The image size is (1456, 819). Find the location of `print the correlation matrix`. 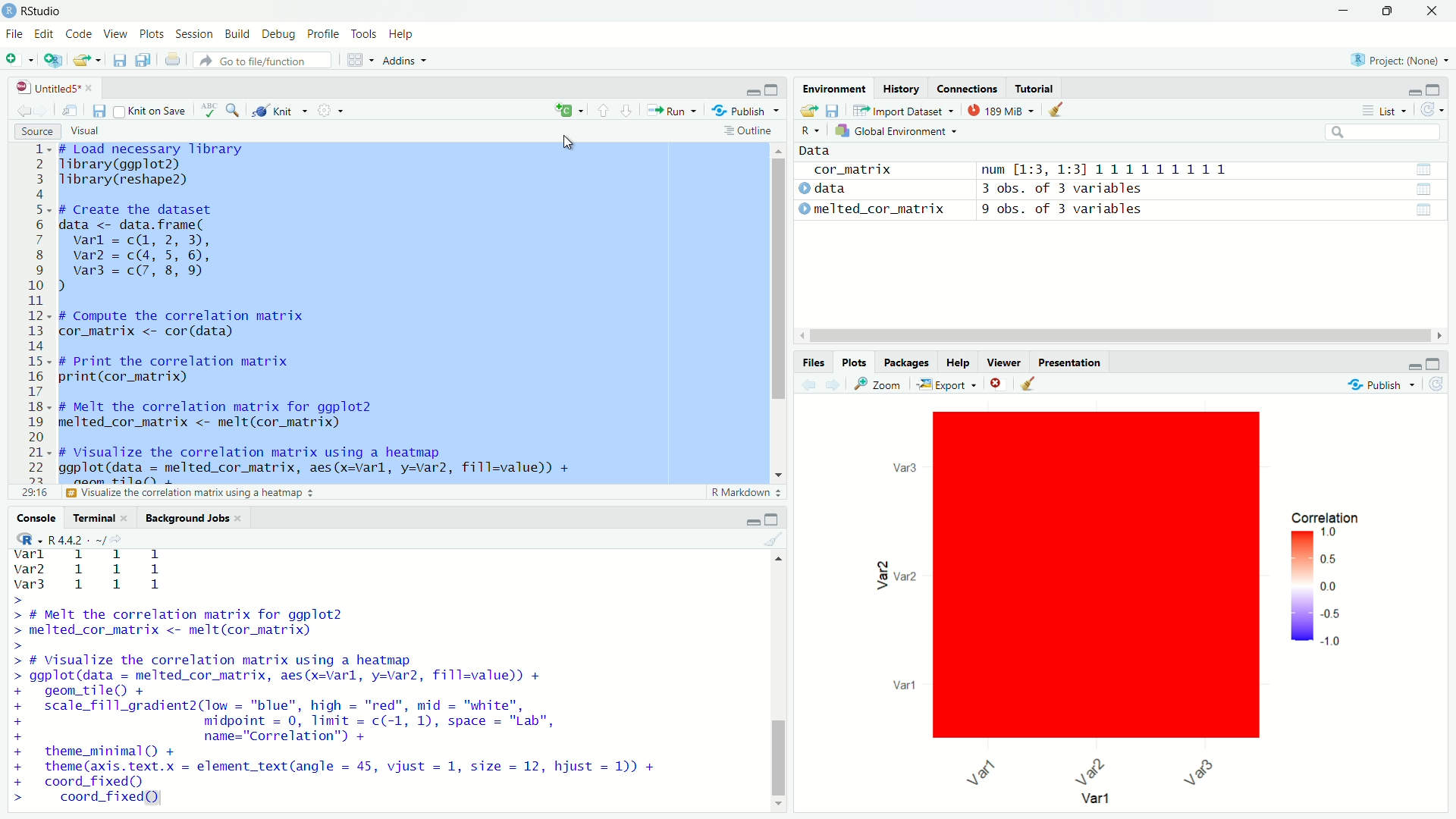

print the correlation matrix is located at coordinates (190, 494).